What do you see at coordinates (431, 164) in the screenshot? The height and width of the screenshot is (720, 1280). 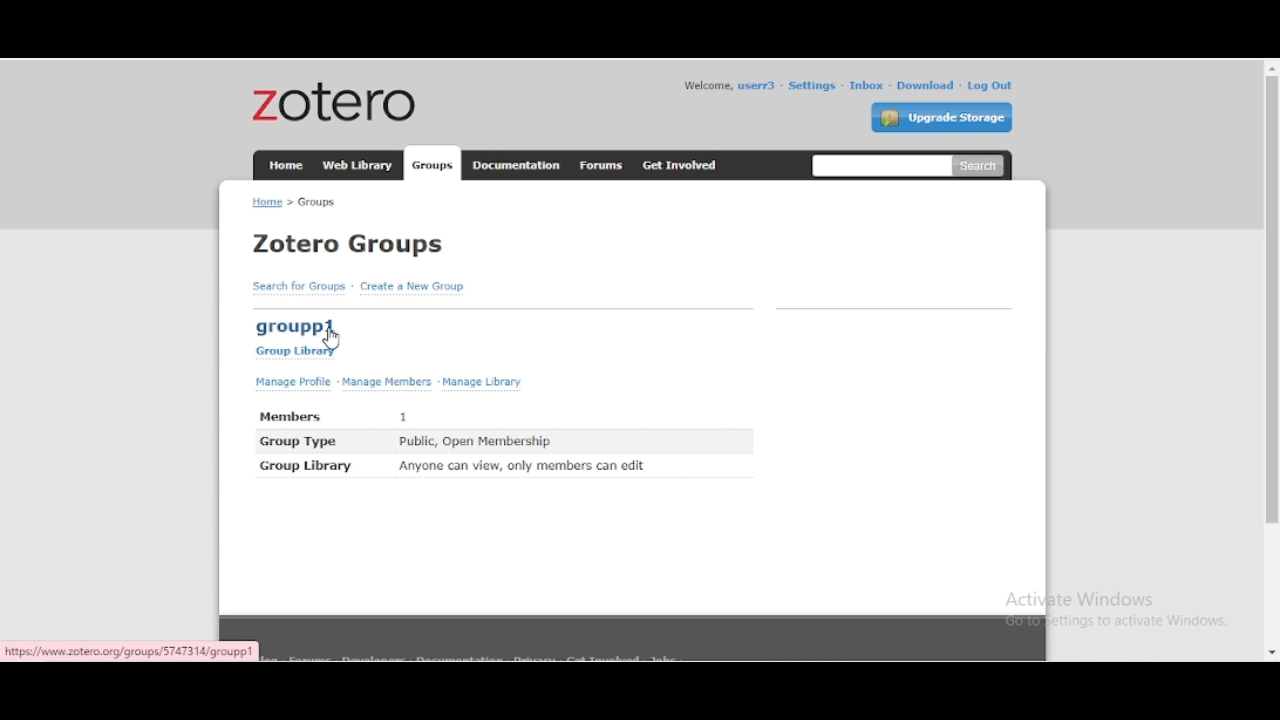 I see `groups` at bounding box center [431, 164].